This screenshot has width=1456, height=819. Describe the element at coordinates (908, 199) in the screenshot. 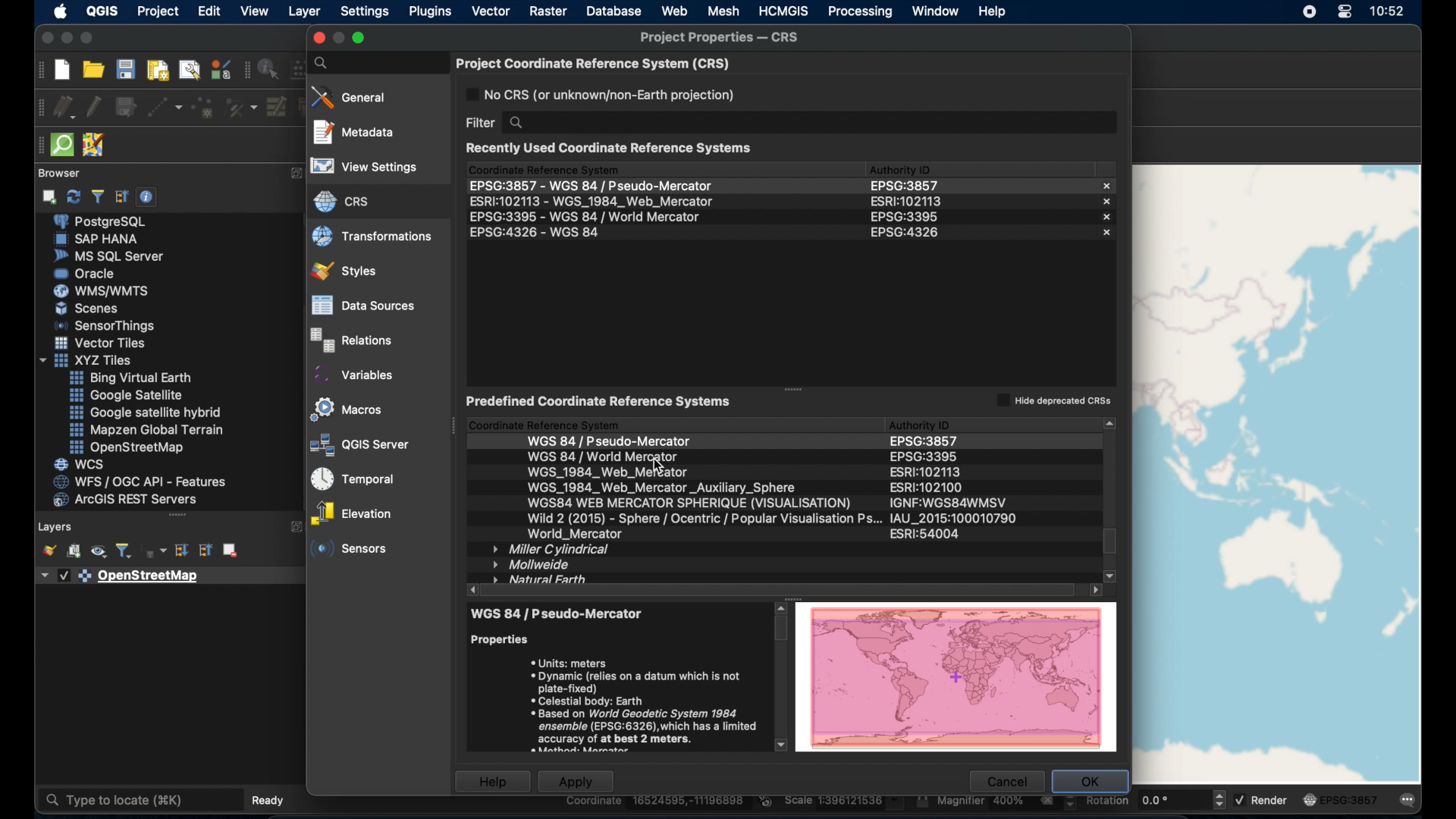

I see `esri:102113` at that location.